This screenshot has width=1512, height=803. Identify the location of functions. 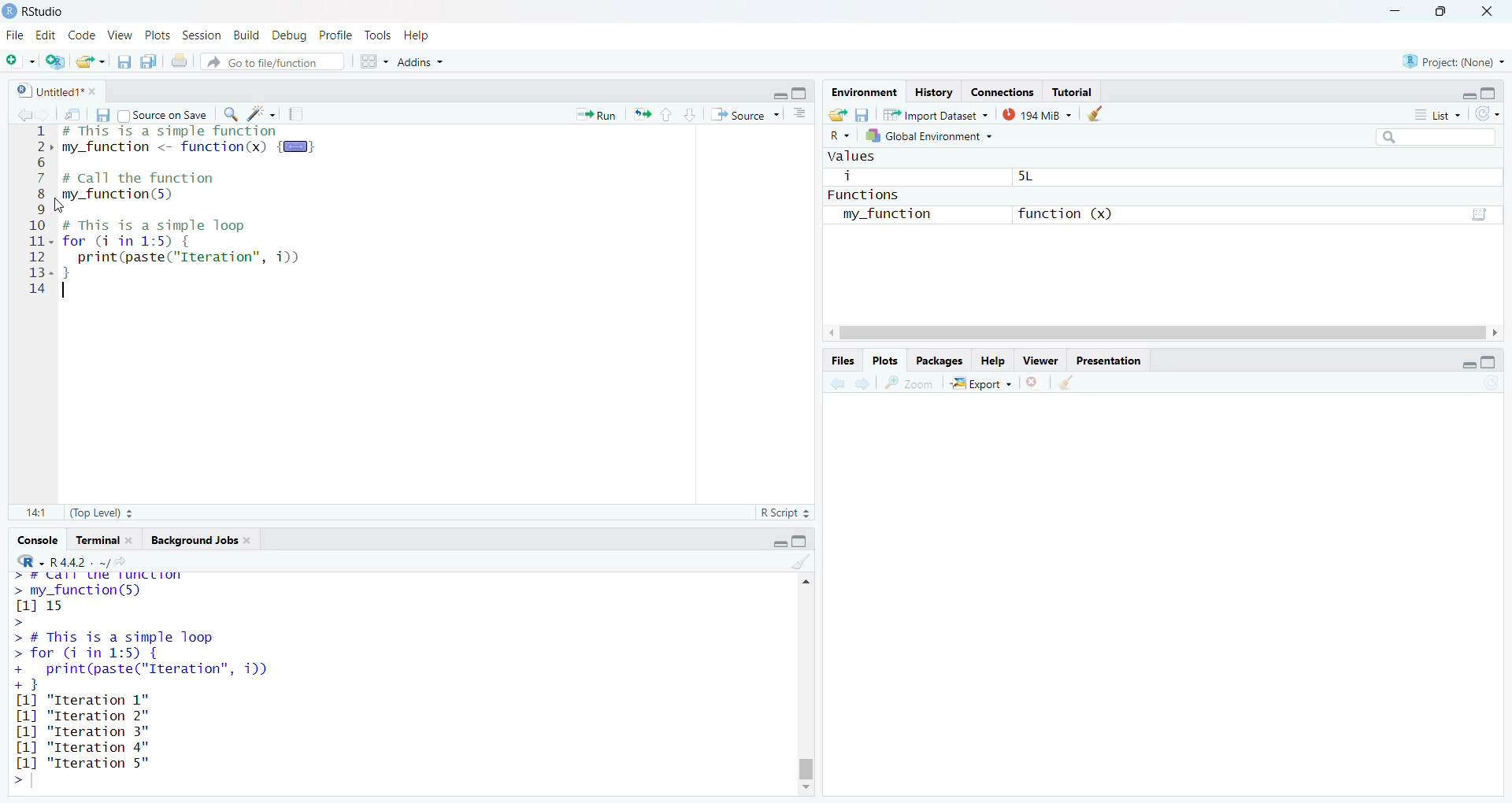
(876, 194).